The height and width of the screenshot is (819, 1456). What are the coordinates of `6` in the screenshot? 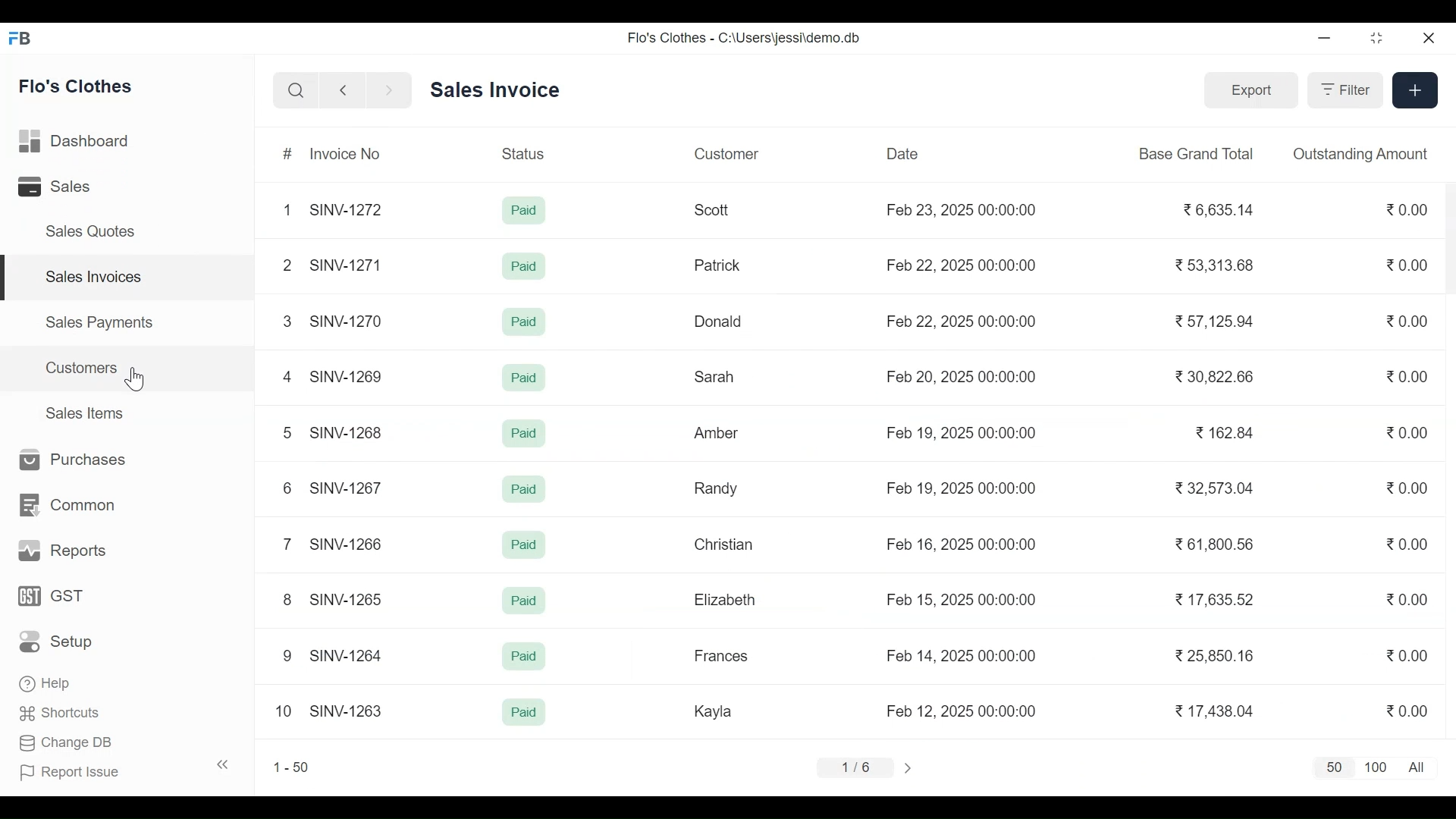 It's located at (288, 488).